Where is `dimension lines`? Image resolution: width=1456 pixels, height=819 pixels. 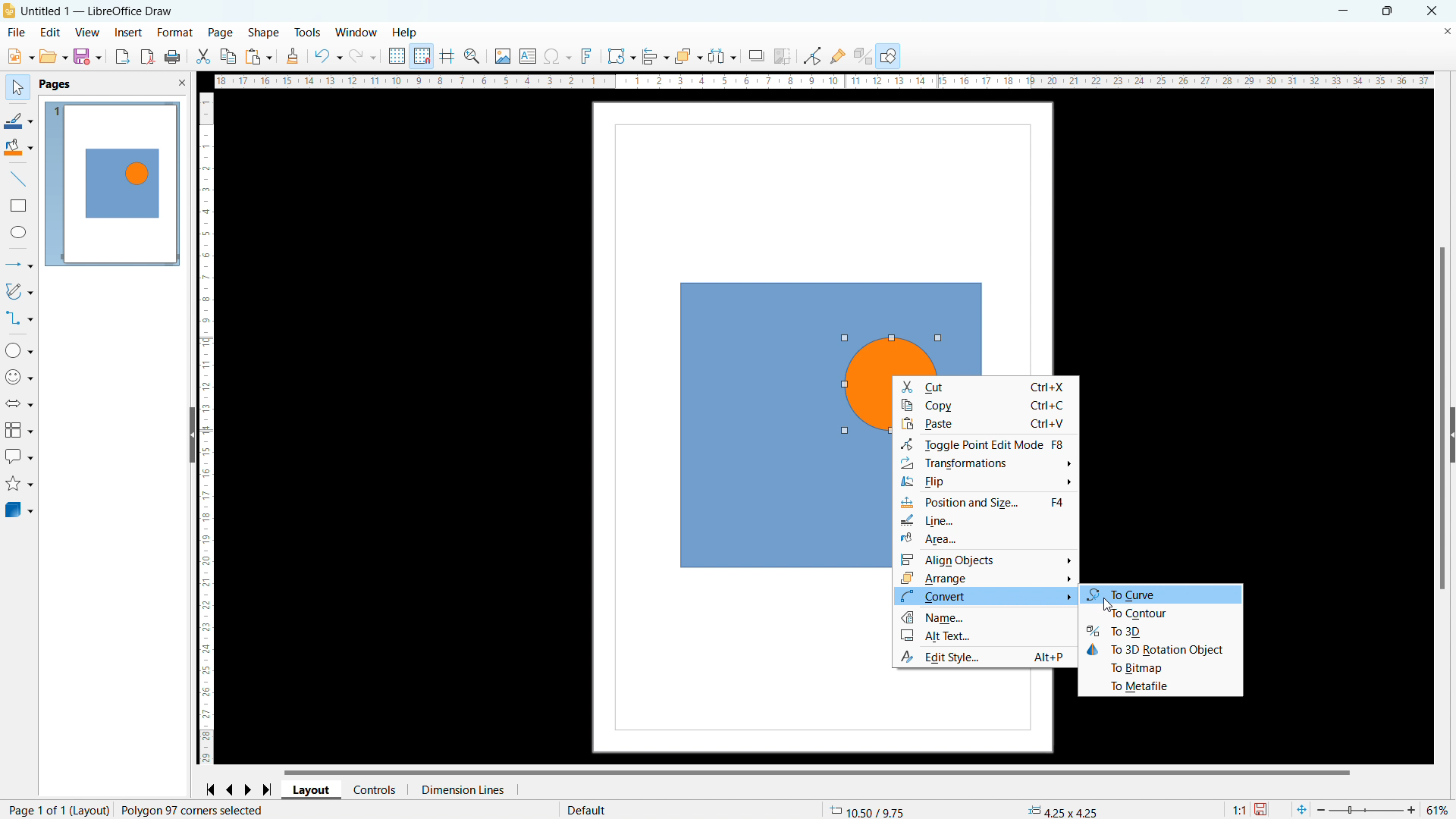
dimension lines is located at coordinates (460, 789).